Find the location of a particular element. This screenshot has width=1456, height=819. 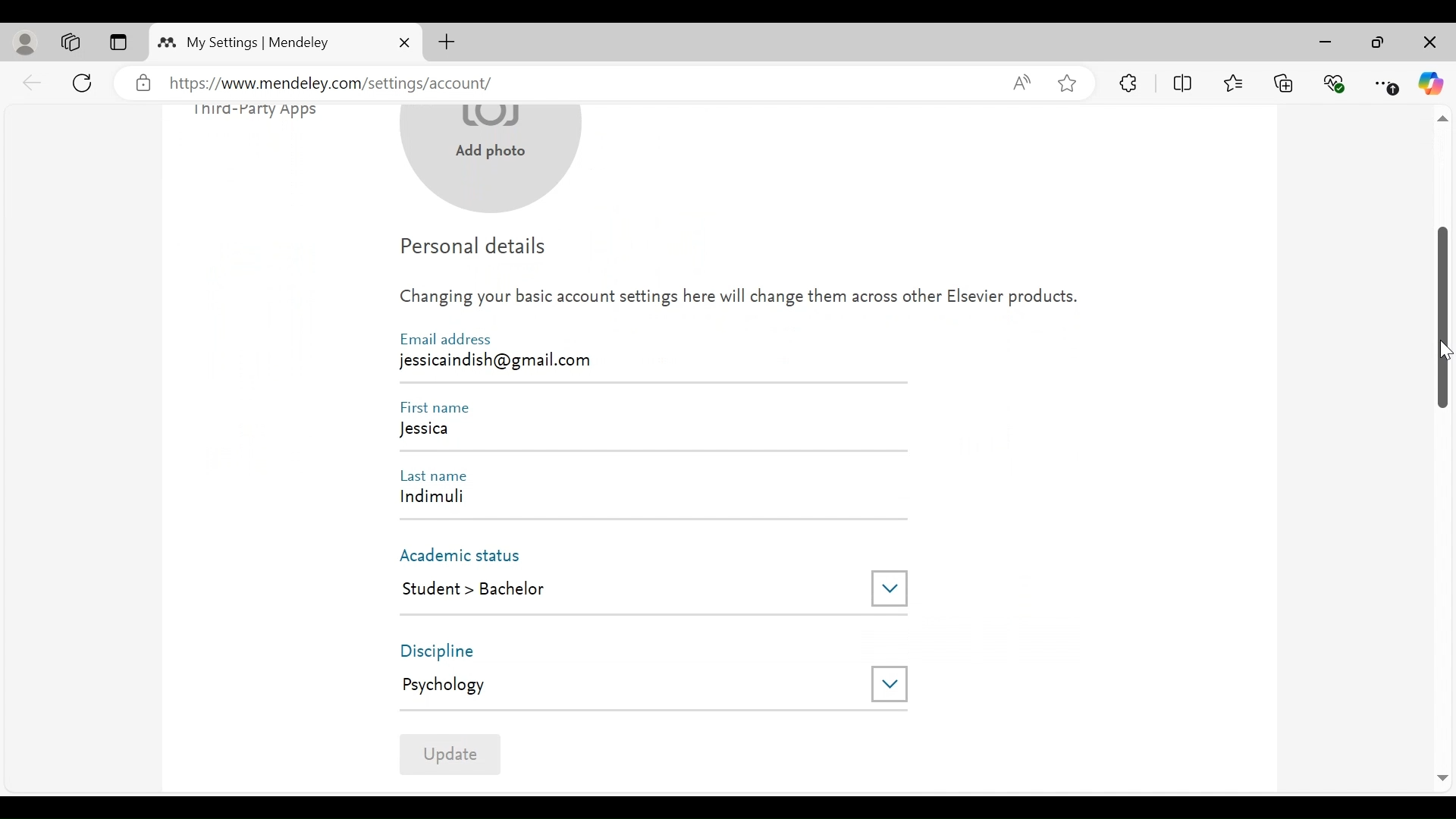

Academic Status is located at coordinates (465, 554).